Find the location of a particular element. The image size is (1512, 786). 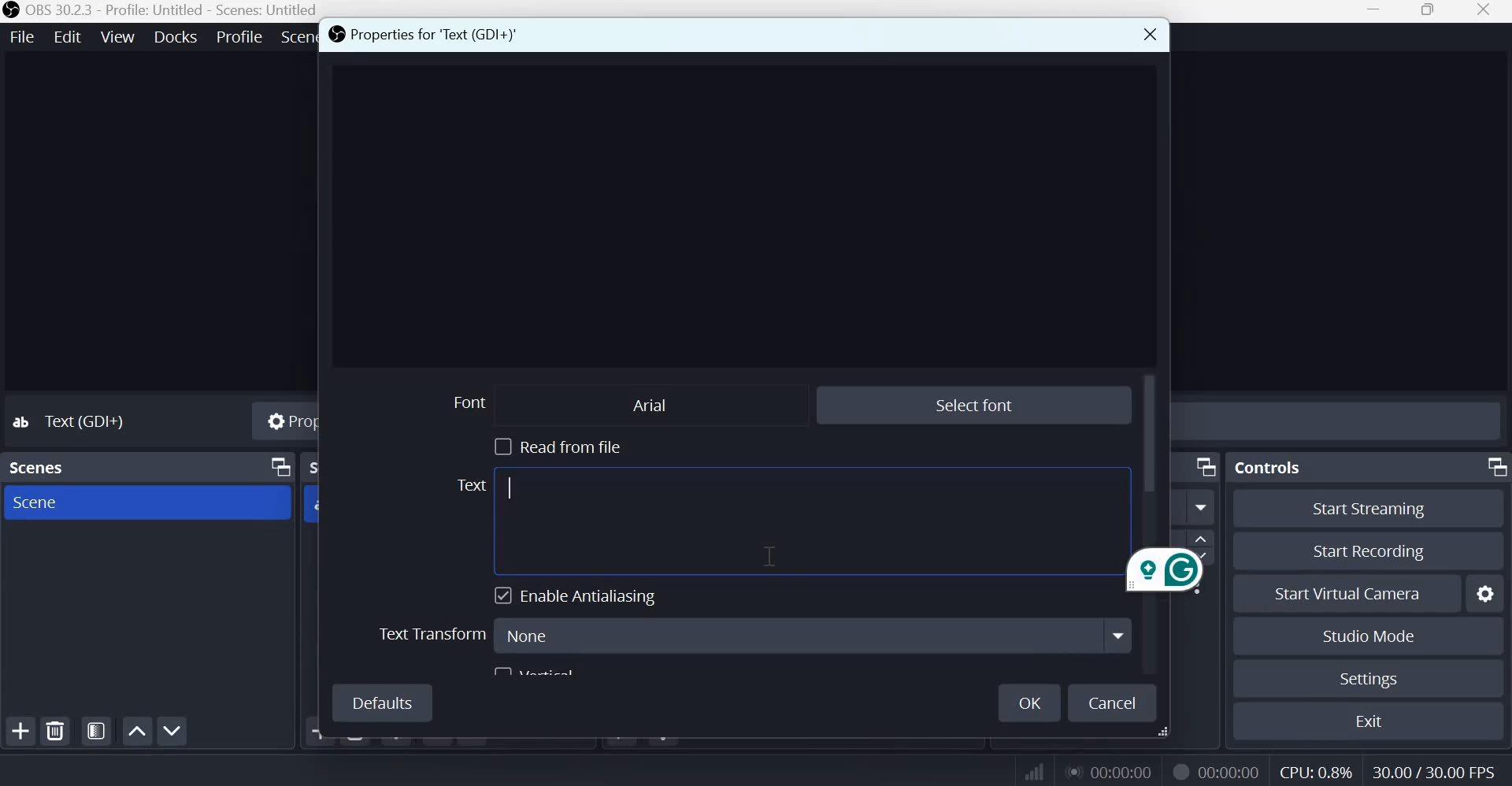

dock options is located at coordinates (273, 468).